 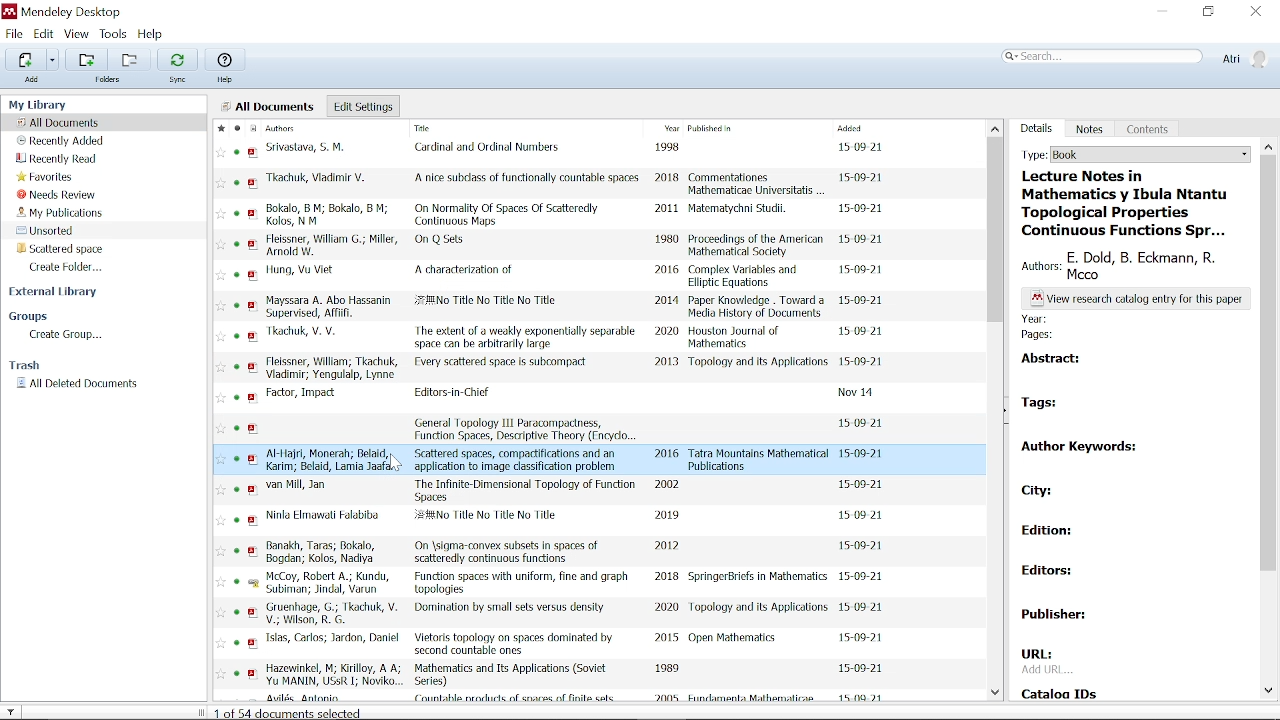 What do you see at coordinates (30, 366) in the screenshot?
I see `Trash` at bounding box center [30, 366].